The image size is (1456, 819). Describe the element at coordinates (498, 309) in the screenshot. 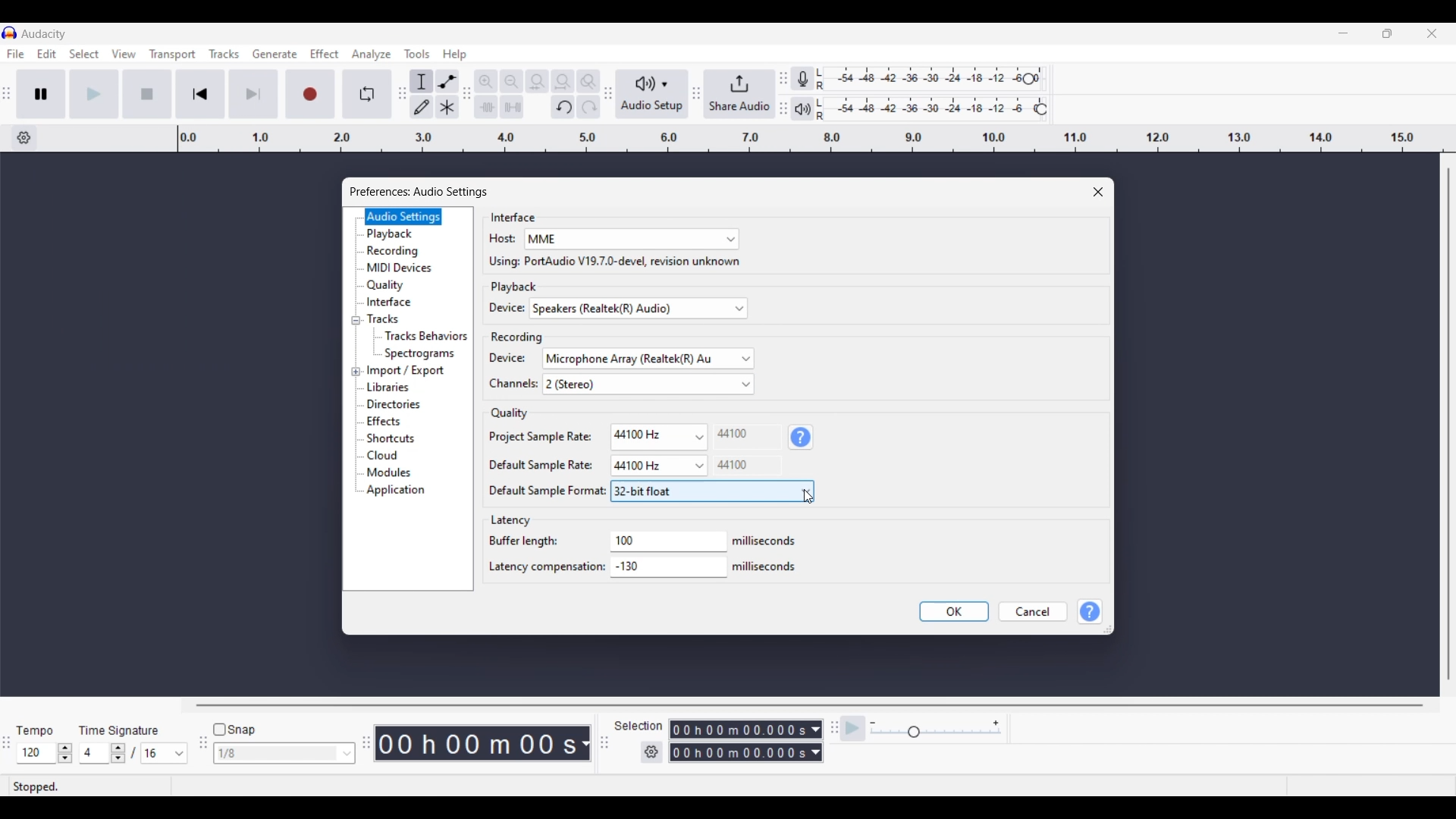

I see `Device:` at that location.